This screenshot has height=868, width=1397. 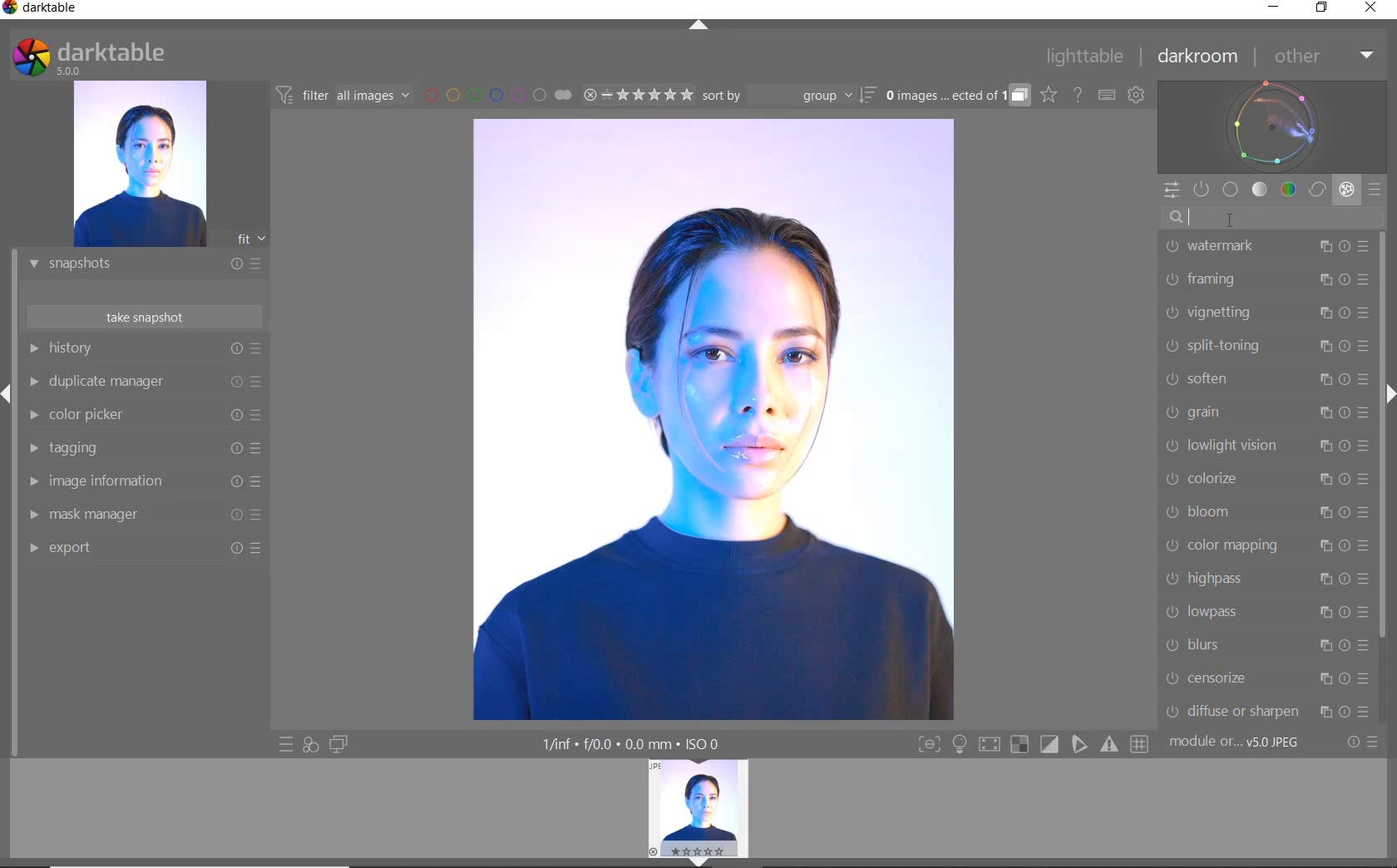 What do you see at coordinates (498, 94) in the screenshot?
I see `FILTER BY IMAGE COLOR LABEL` at bounding box center [498, 94].